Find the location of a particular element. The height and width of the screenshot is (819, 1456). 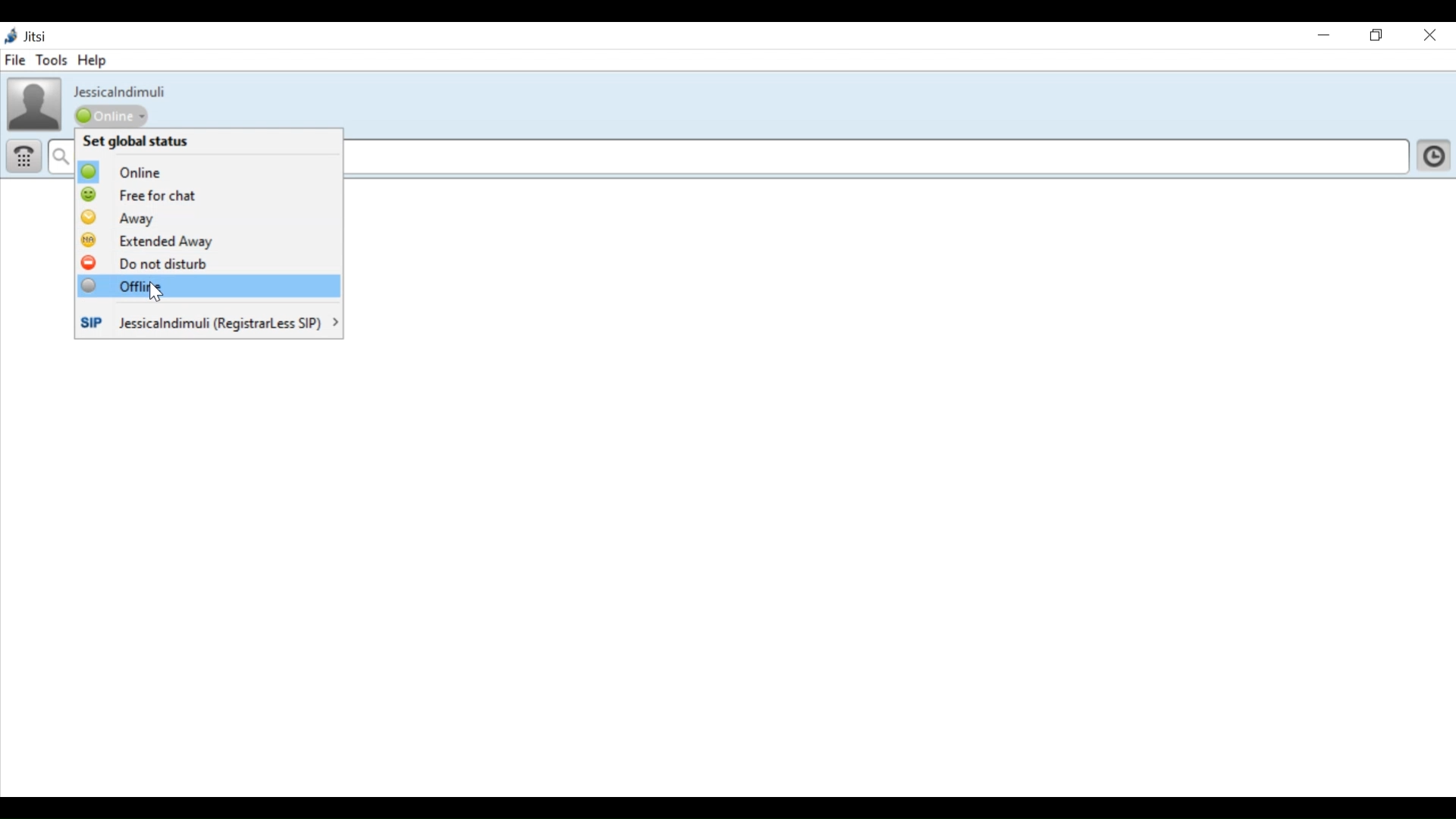

Dial pad is located at coordinates (25, 155).